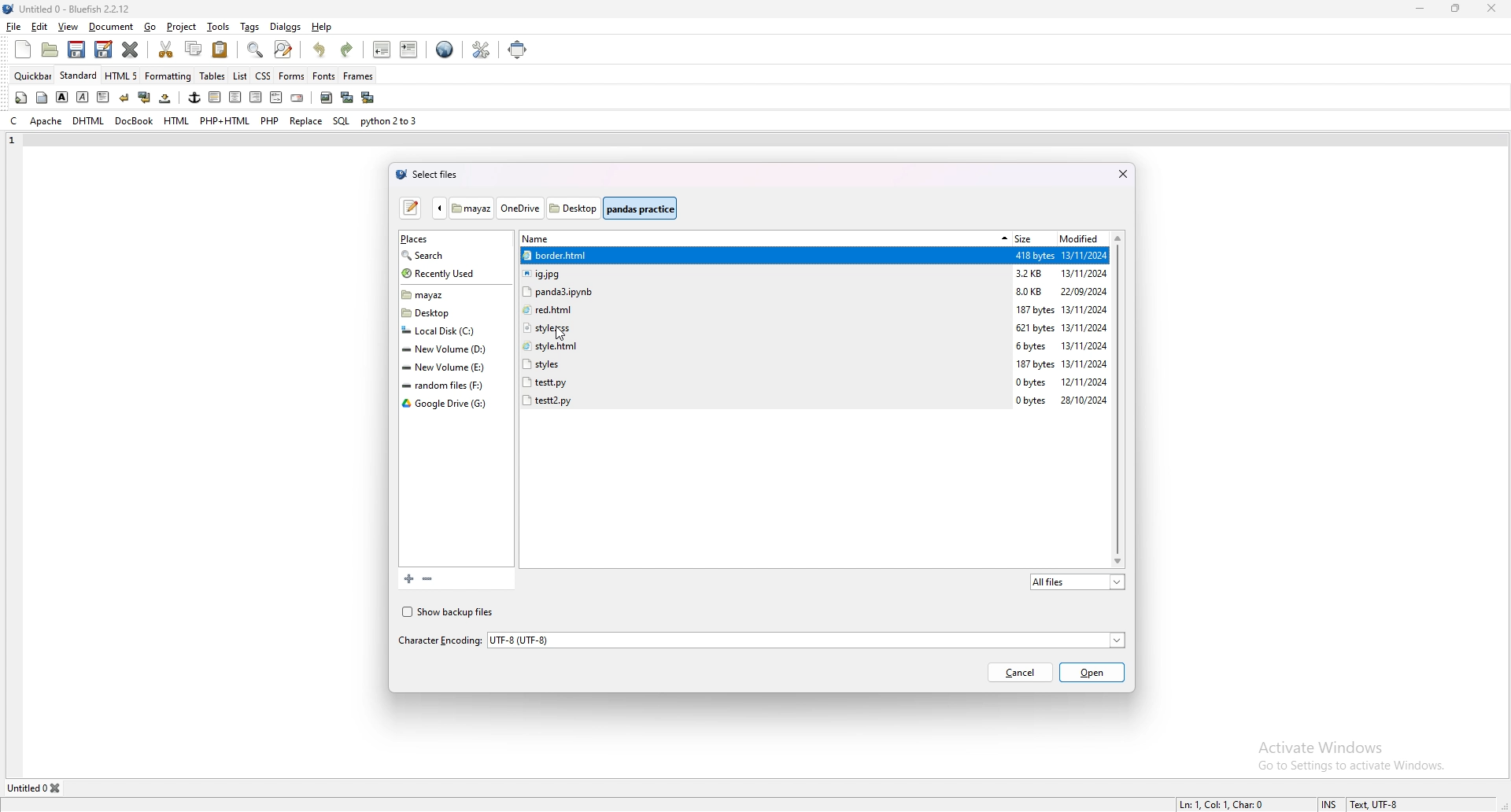 This screenshot has height=812, width=1511. Describe the element at coordinates (1085, 365) in the screenshot. I see `13/11/2024` at that location.